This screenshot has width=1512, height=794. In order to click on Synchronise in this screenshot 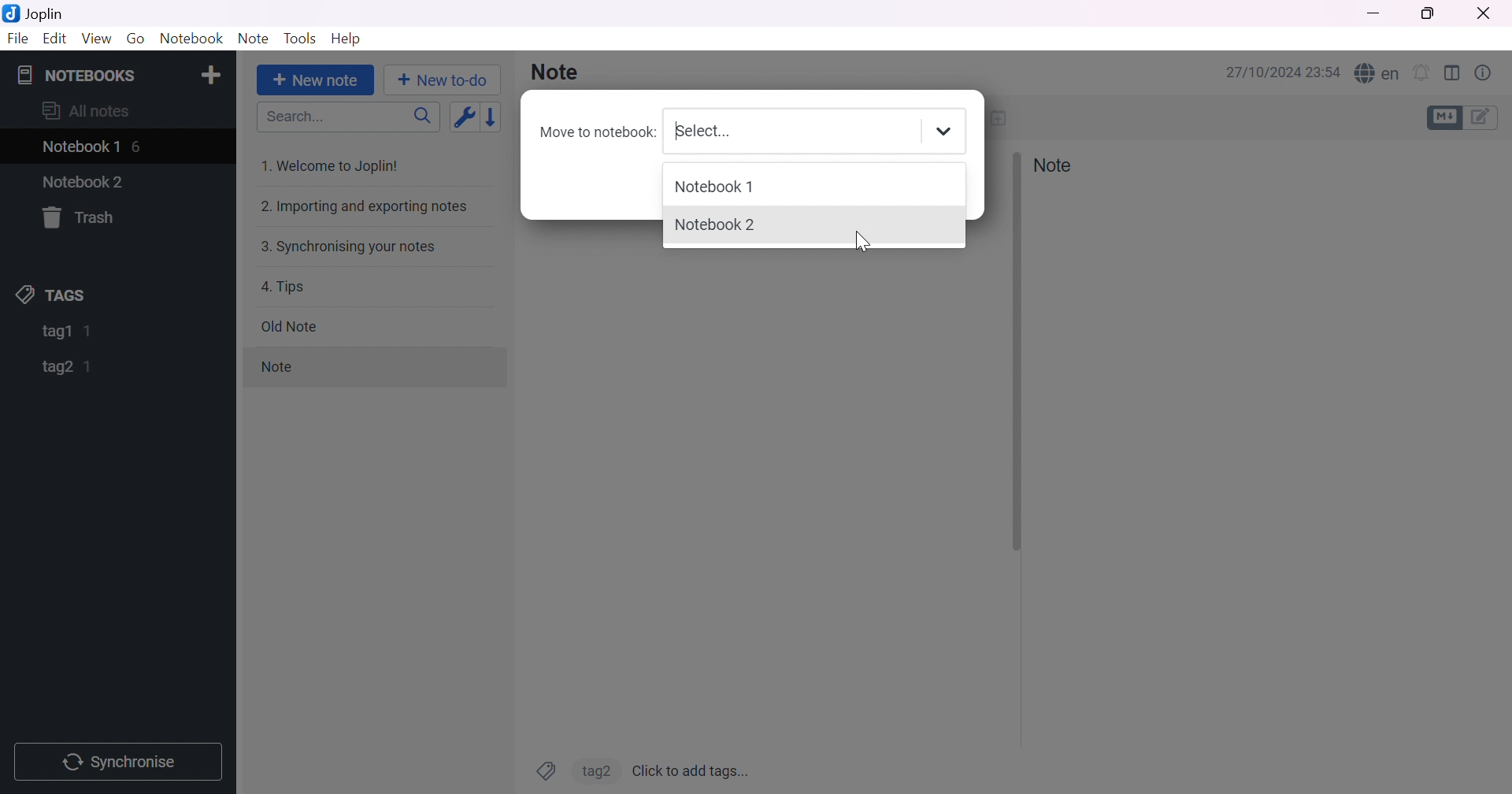, I will do `click(125, 760)`.